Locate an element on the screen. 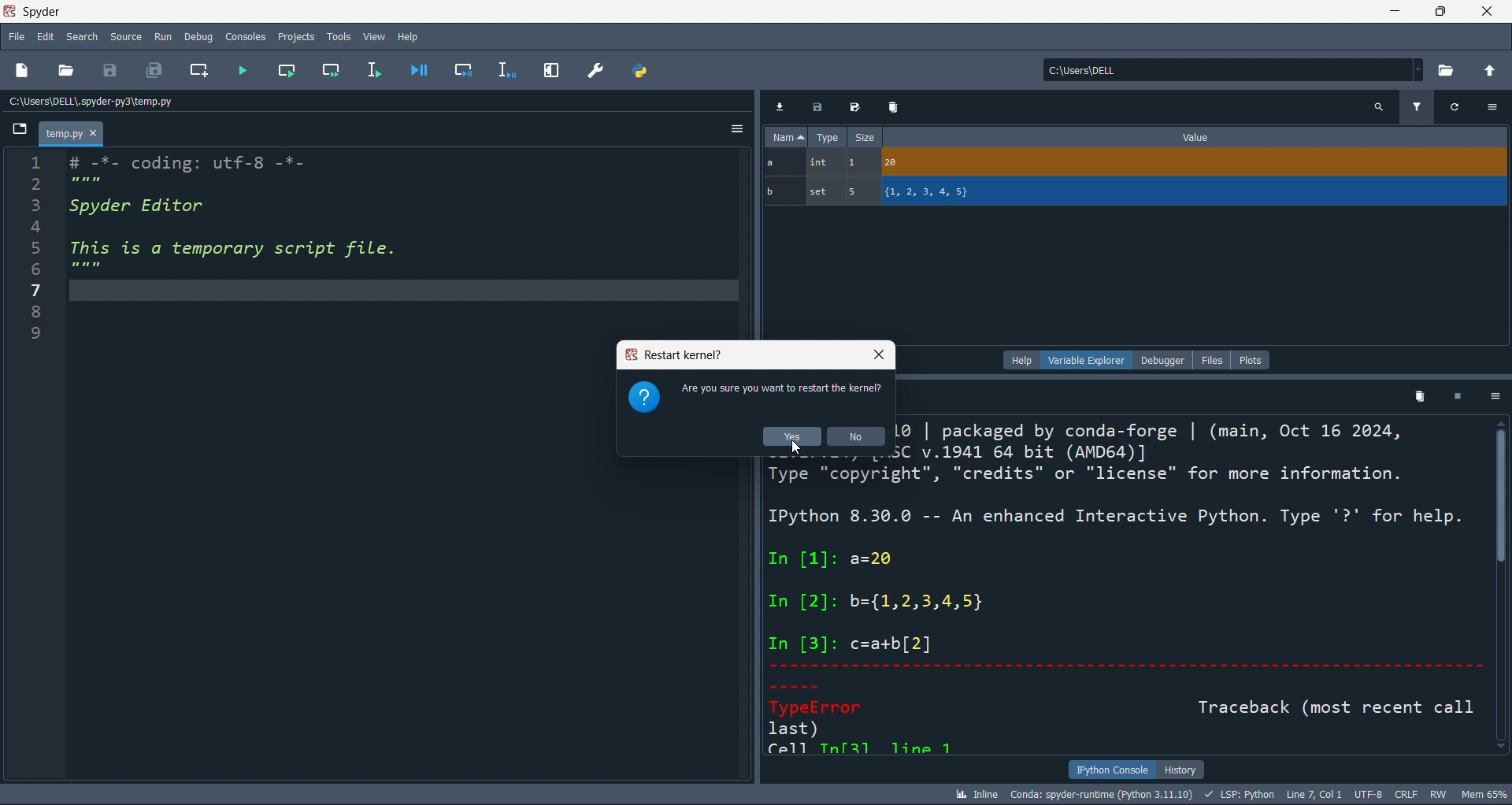  IPYTHON CONSOLE is located at coordinates (1111, 768).